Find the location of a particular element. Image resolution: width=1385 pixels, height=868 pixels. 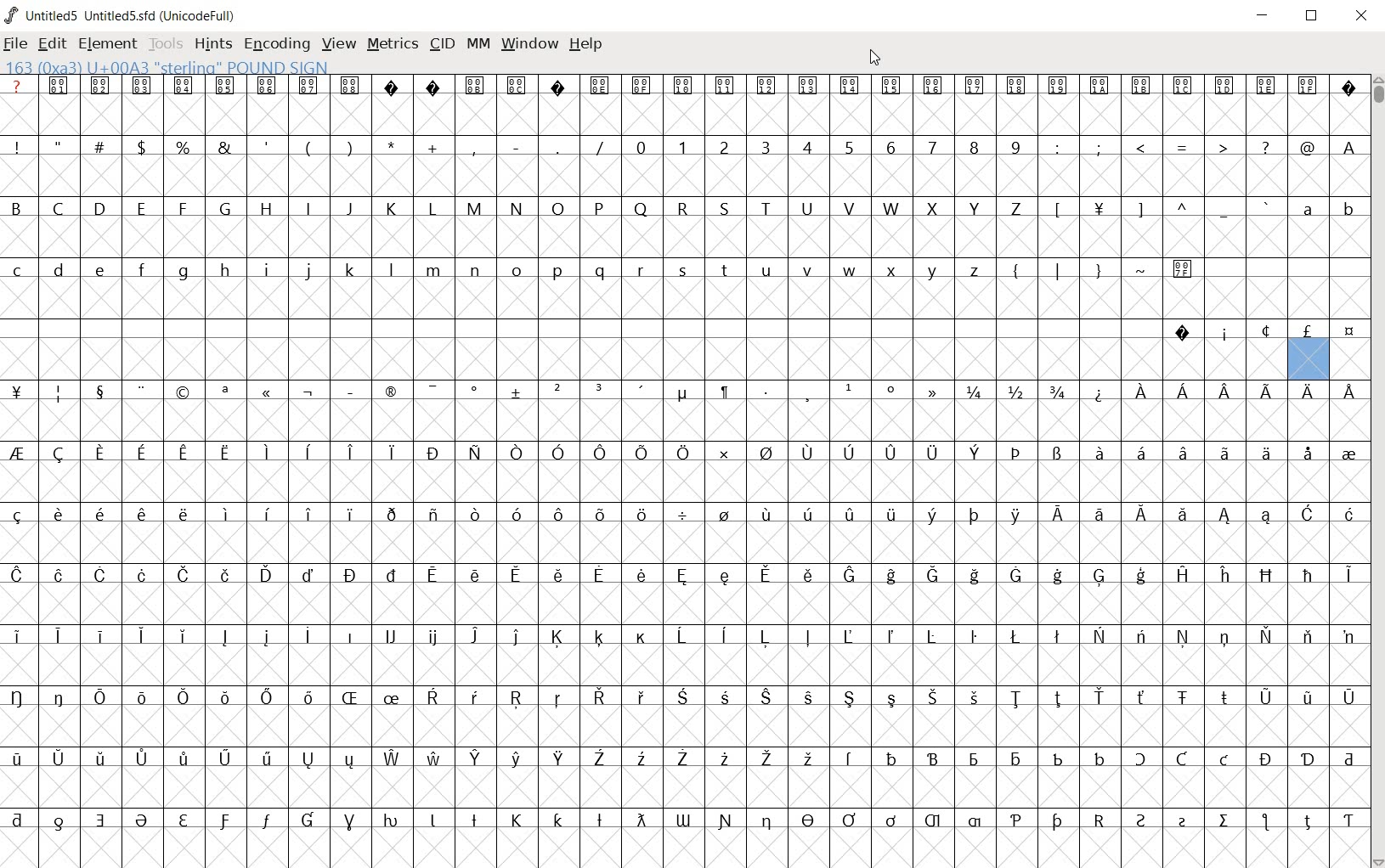

Symbol is located at coordinates (599, 517).